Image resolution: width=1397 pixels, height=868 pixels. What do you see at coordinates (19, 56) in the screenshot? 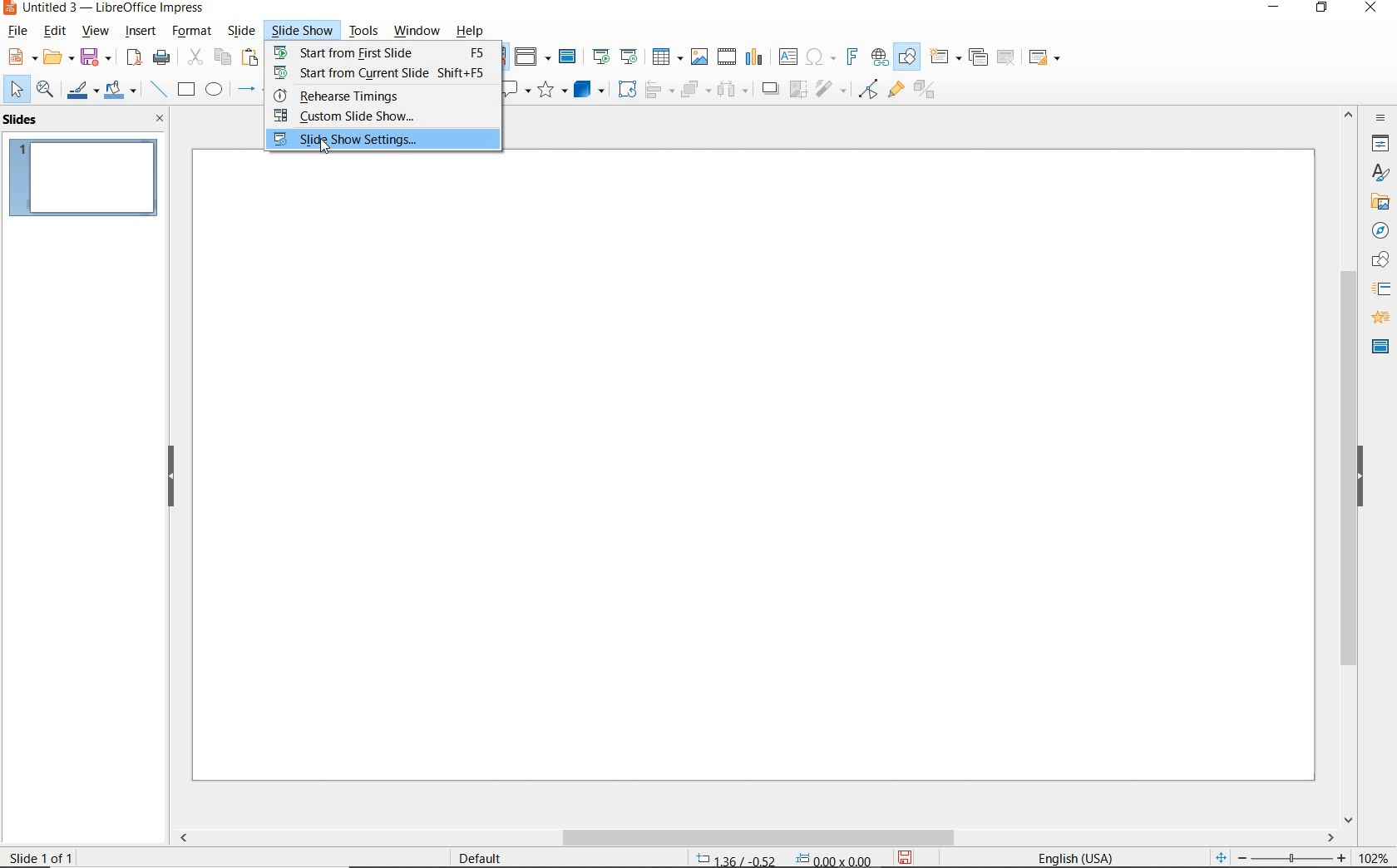
I see `NEW` at bounding box center [19, 56].